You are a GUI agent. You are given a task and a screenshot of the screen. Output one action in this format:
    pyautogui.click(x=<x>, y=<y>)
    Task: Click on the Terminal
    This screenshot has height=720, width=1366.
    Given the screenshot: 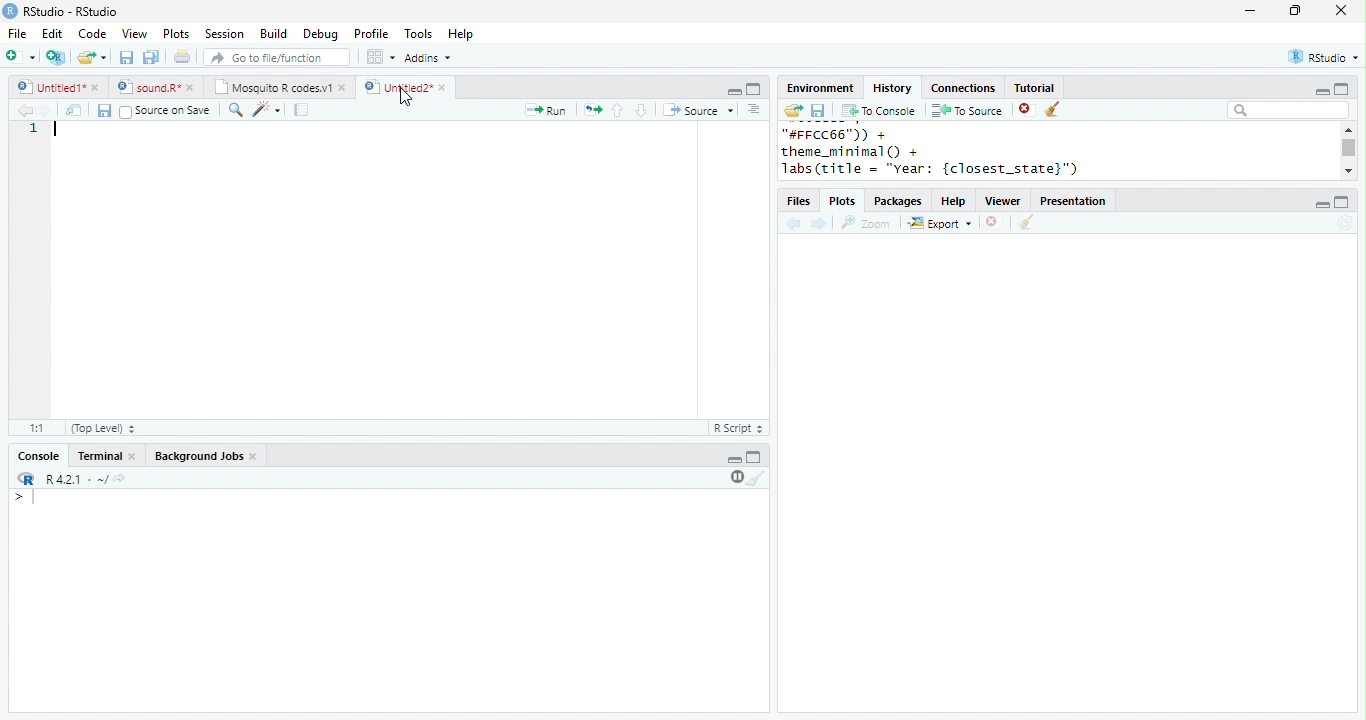 What is the action you would take?
    pyautogui.click(x=98, y=456)
    